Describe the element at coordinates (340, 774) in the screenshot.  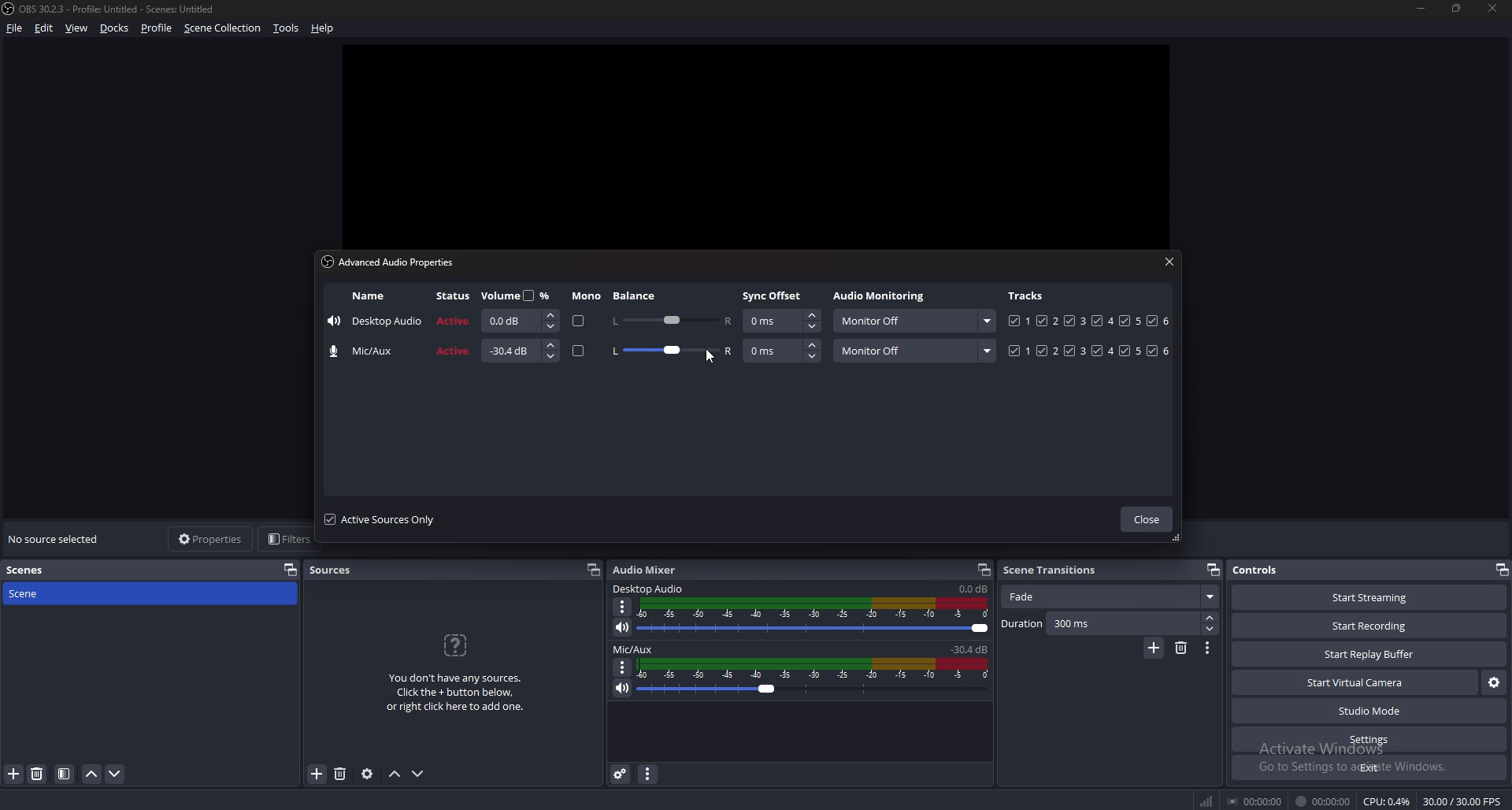
I see `remove source` at that location.